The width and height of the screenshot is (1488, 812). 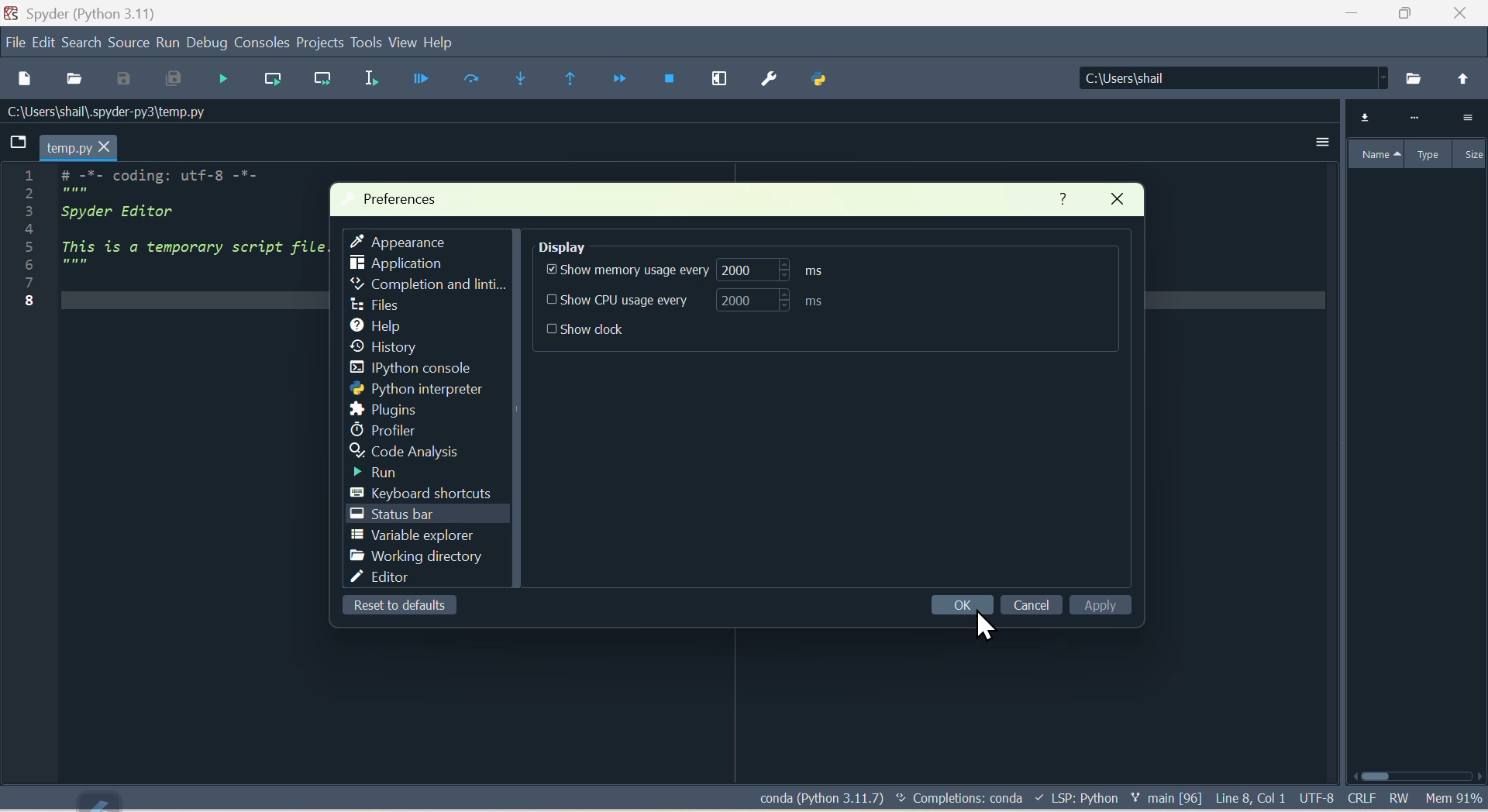 I want to click on Preferences, so click(x=405, y=198).